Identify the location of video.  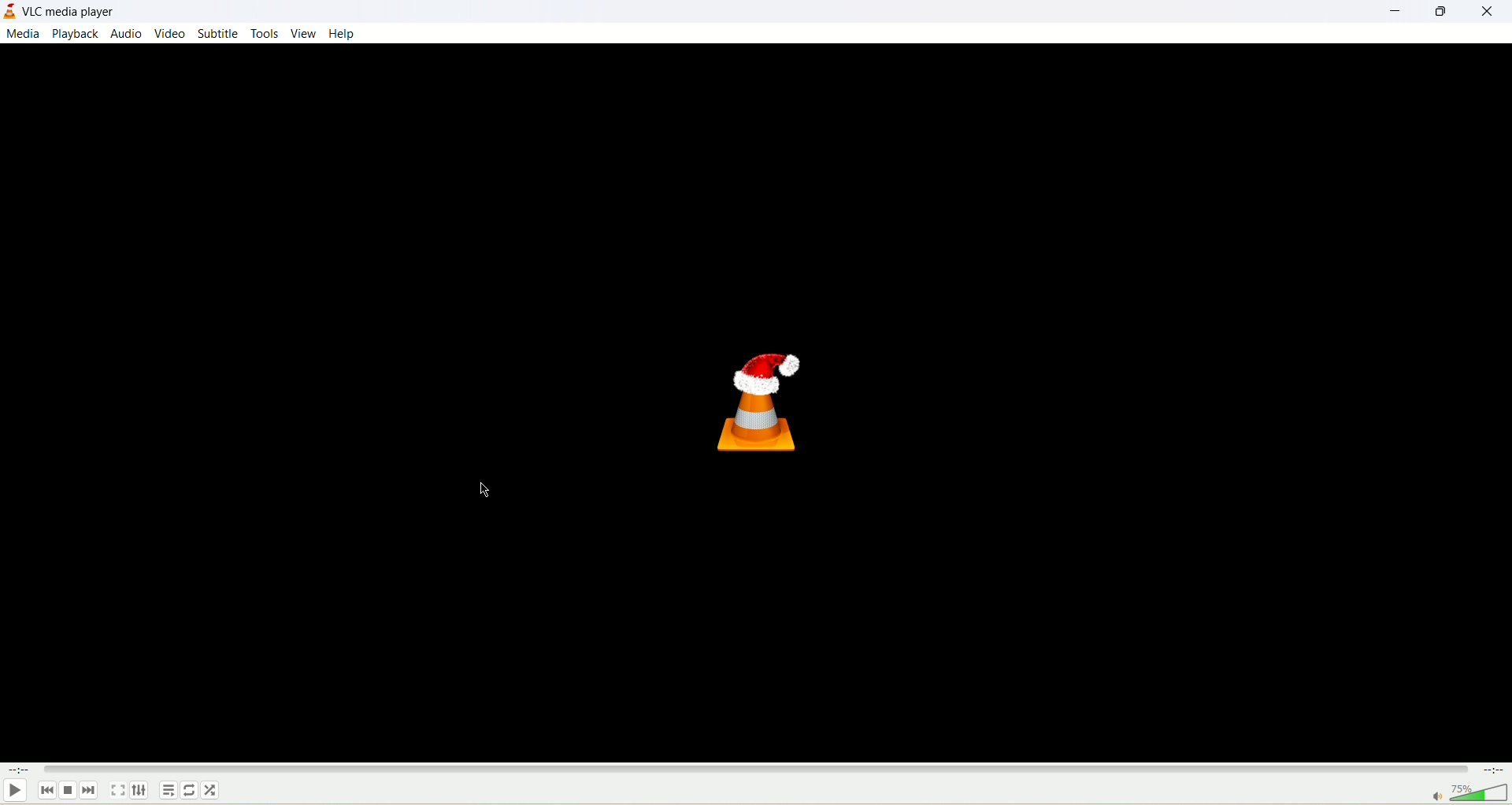
(170, 33).